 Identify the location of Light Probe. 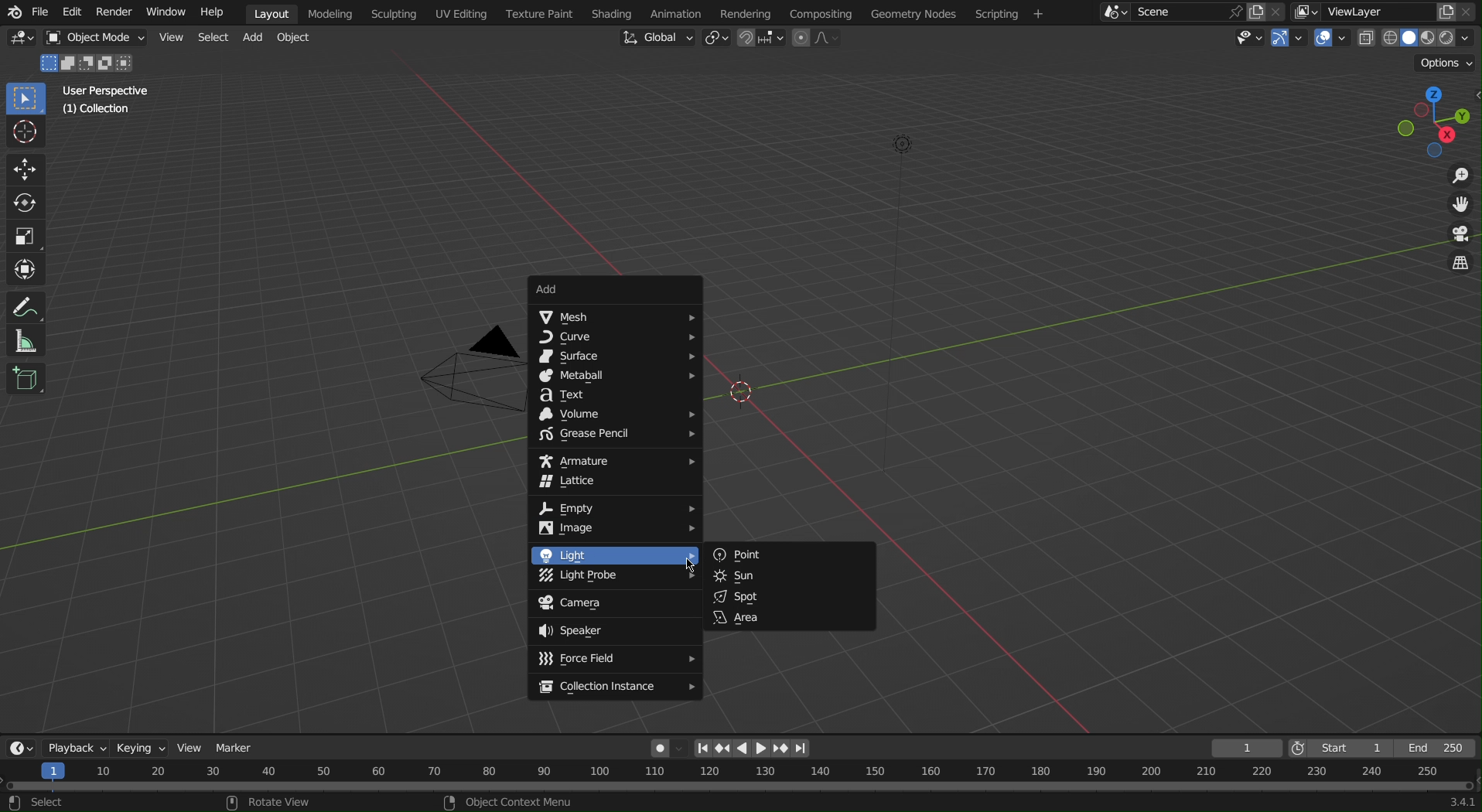
(613, 578).